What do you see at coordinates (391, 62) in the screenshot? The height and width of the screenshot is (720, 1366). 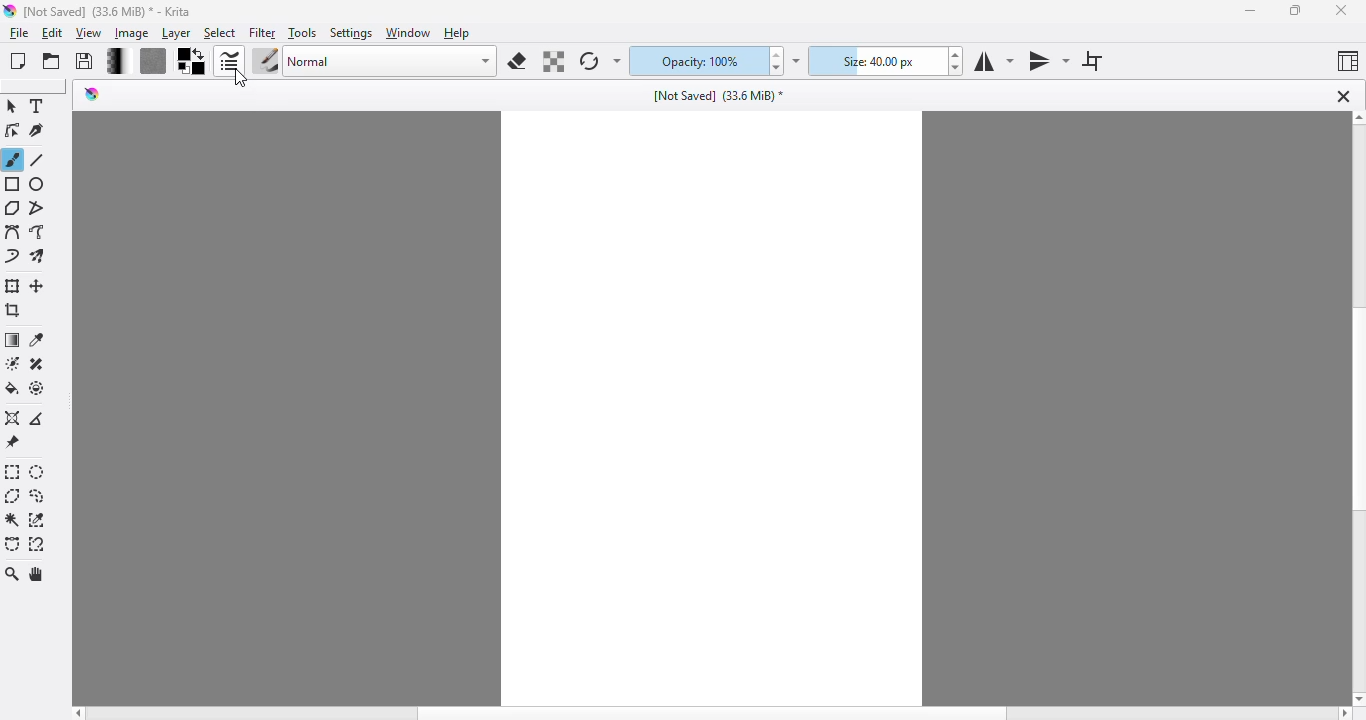 I see `Normal` at bounding box center [391, 62].